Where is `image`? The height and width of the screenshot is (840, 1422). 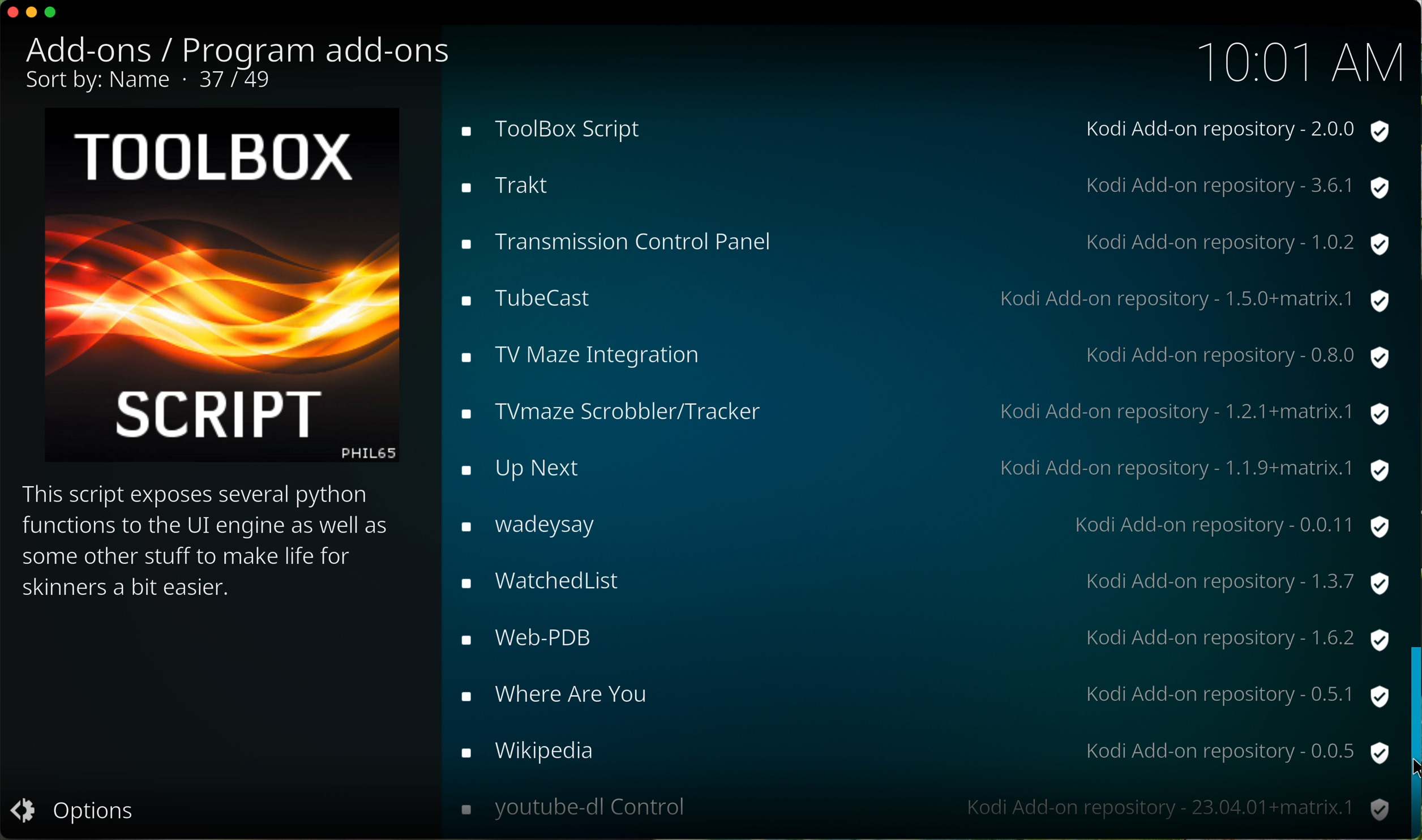 image is located at coordinates (219, 292).